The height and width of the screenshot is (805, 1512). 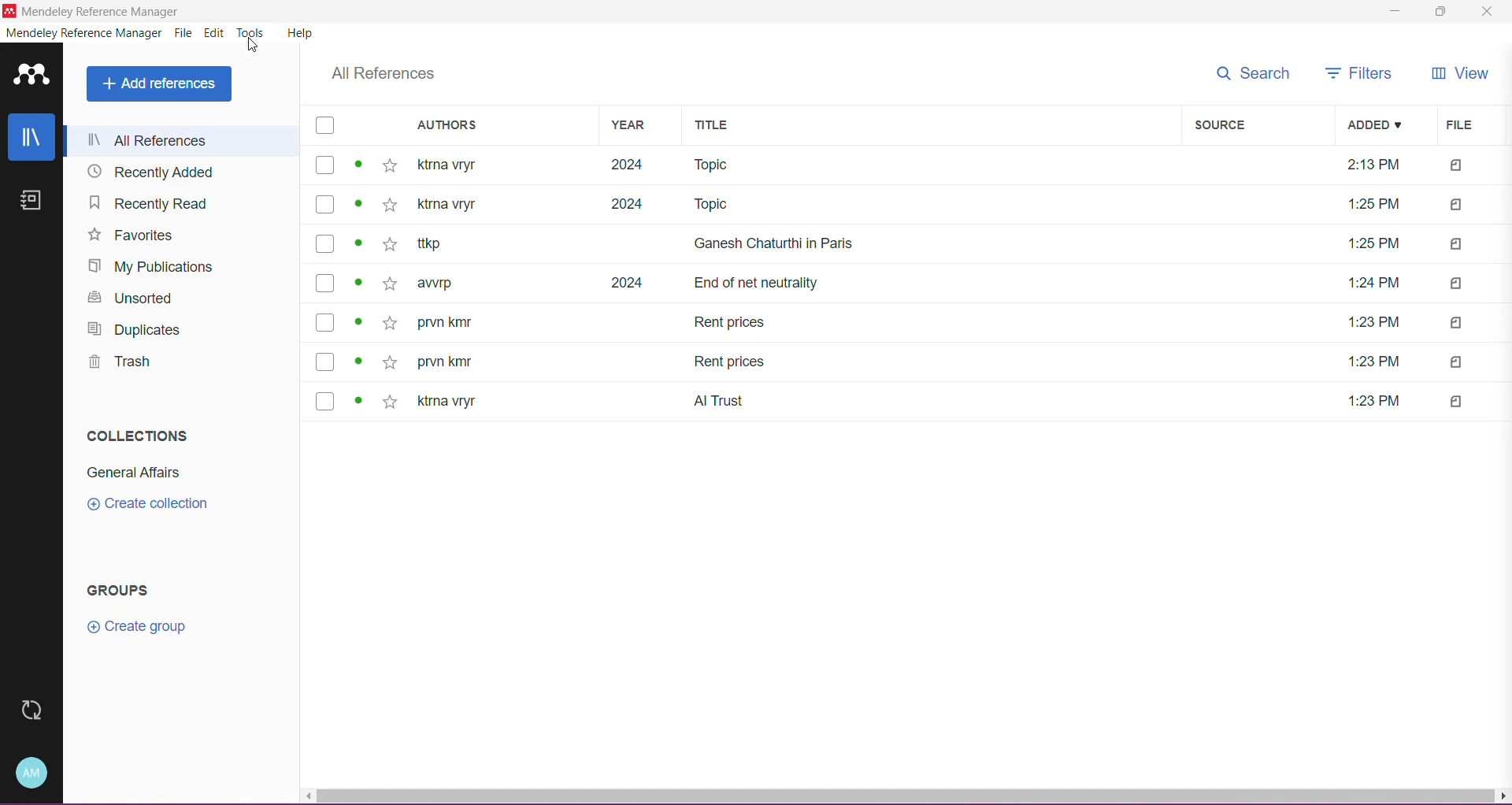 I want to click on file, so click(x=1373, y=362).